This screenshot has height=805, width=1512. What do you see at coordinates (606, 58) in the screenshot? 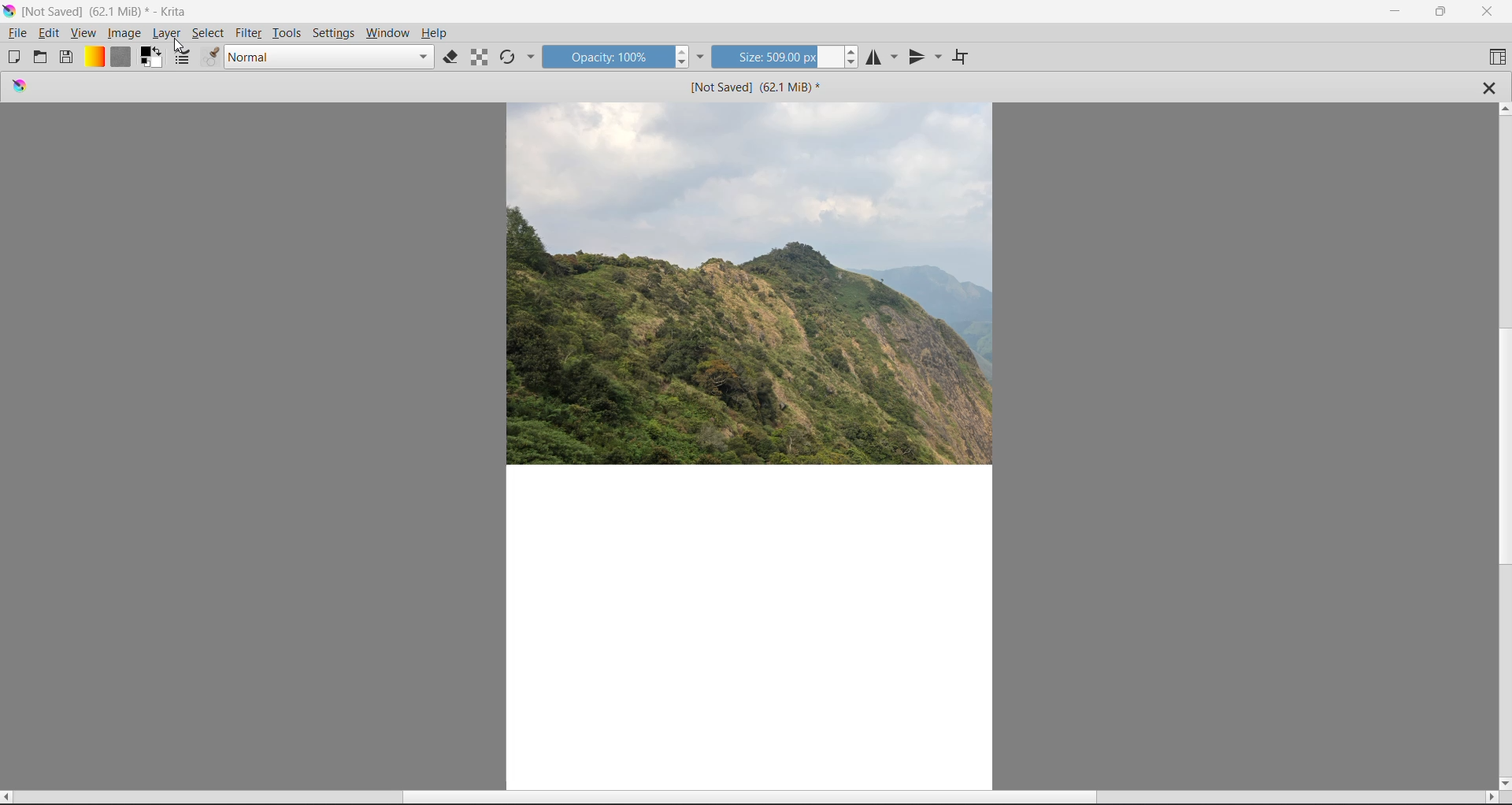
I see `Opacity` at bounding box center [606, 58].